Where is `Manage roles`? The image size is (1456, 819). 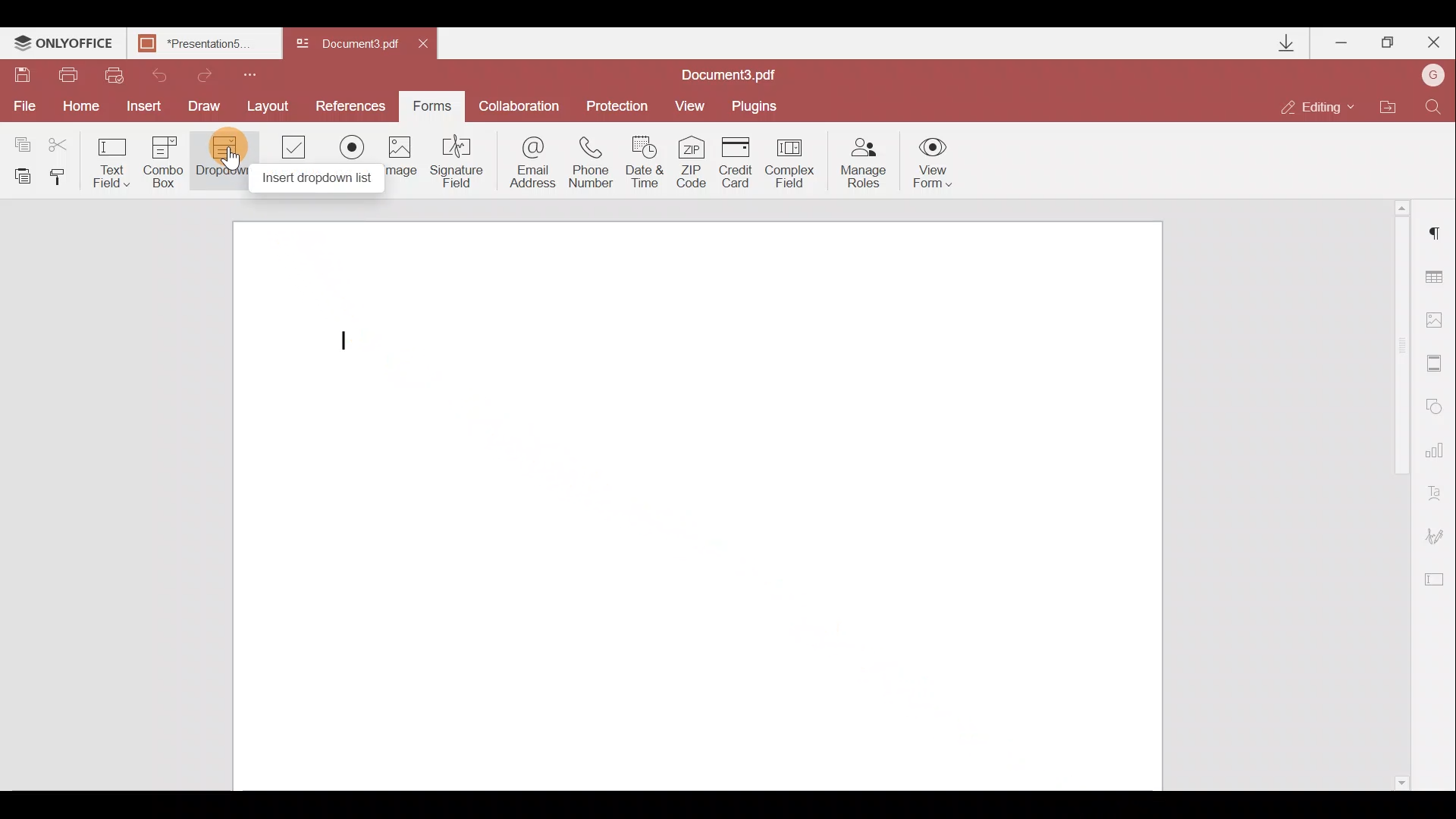 Manage roles is located at coordinates (863, 163).